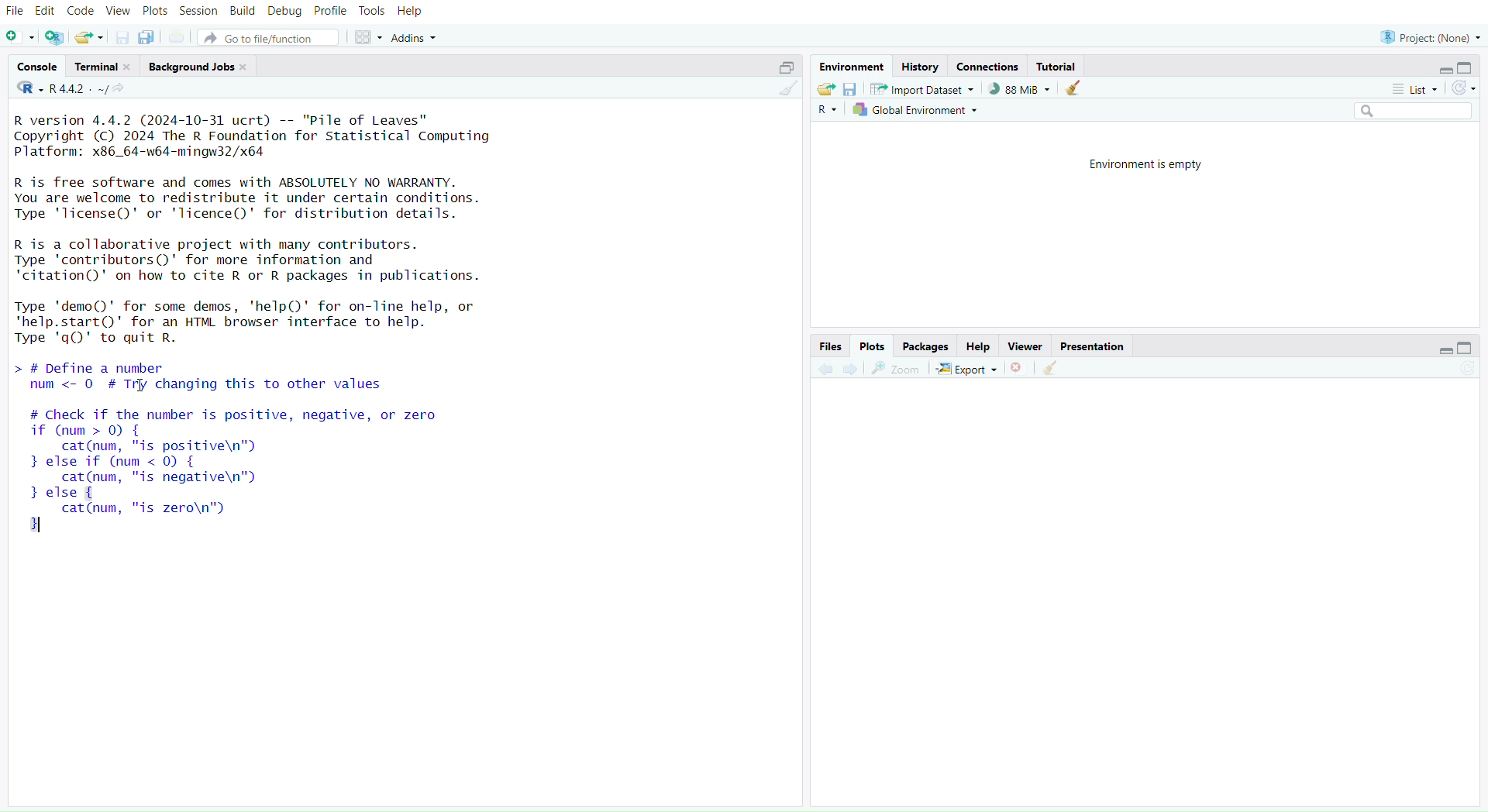 Image resolution: width=1488 pixels, height=812 pixels. I want to click on > # Define a numbernum <- 0 # Try changing this to other values# Check if the number is positive, negative, or zeroif (num > 0) {cat(num, "is positive\n")} else if (num < 0) {cat(num, "is negative\n")} else {| cat(num, "is zero\n")}, so click(257, 452).